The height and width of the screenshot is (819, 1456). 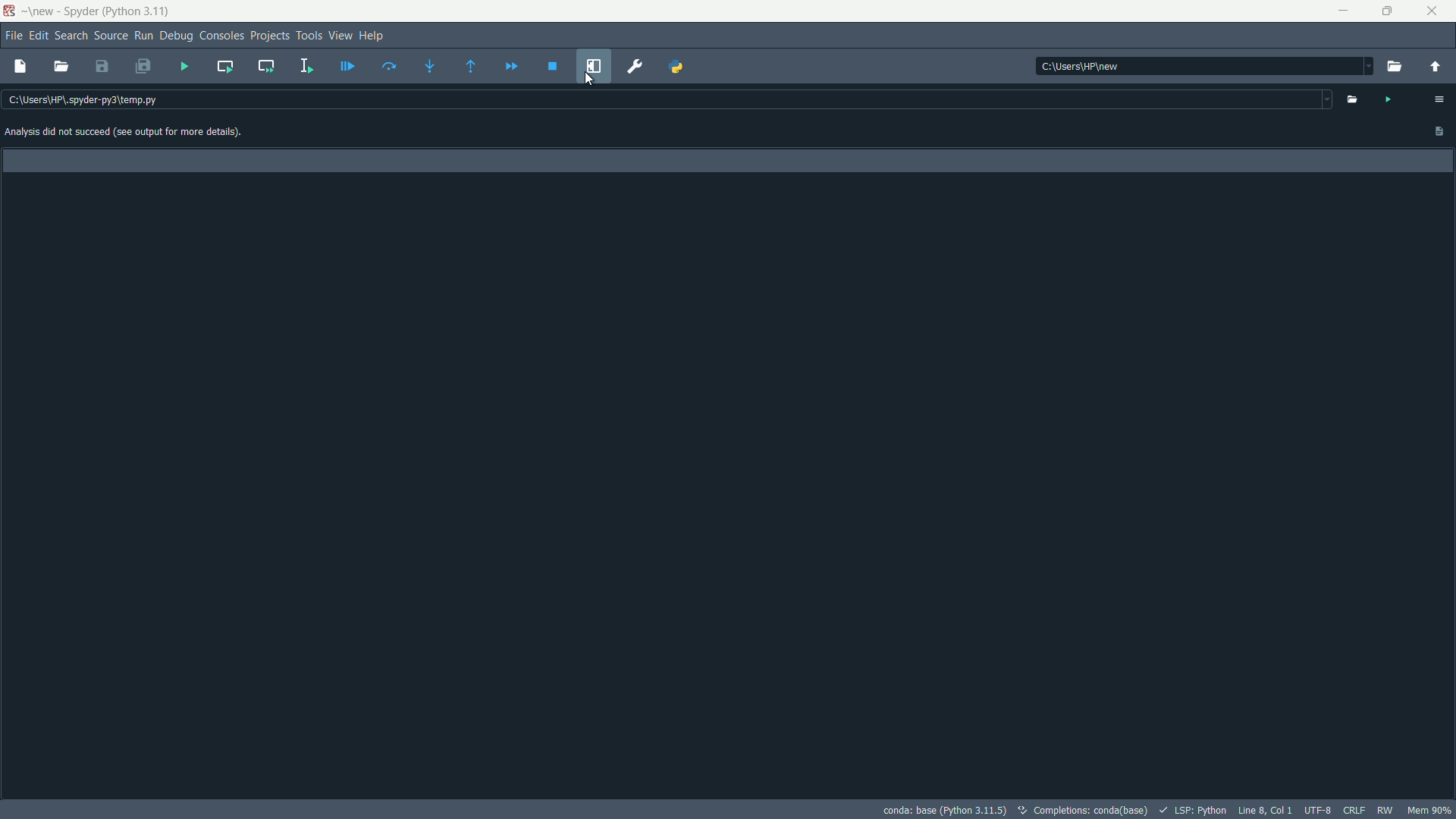 What do you see at coordinates (470, 67) in the screenshot?
I see `execution until next function` at bounding box center [470, 67].